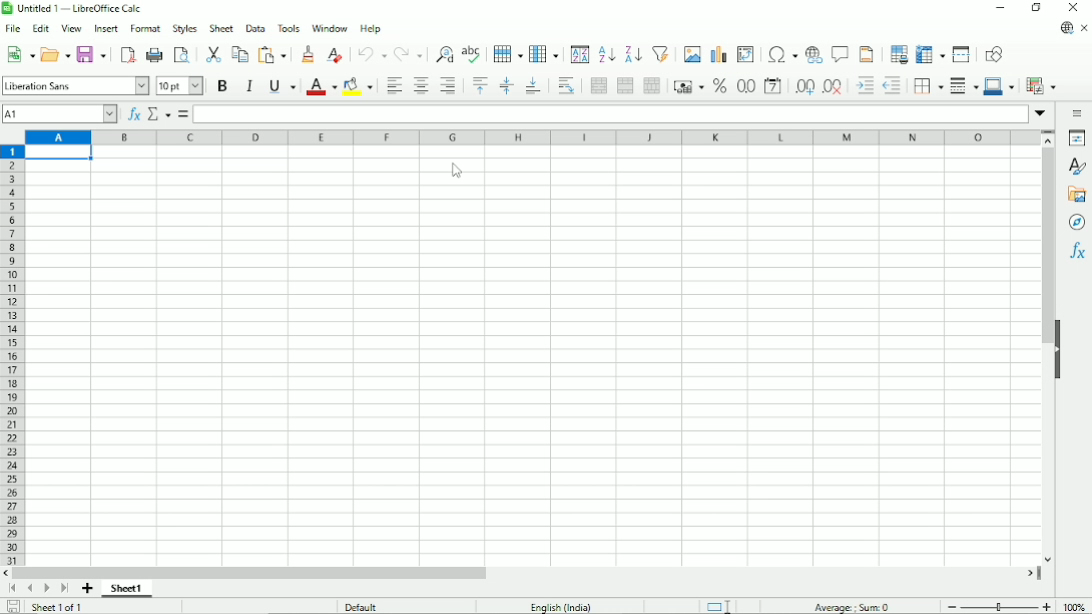 The height and width of the screenshot is (614, 1092). What do you see at coordinates (506, 86) in the screenshot?
I see `Center vertically` at bounding box center [506, 86].